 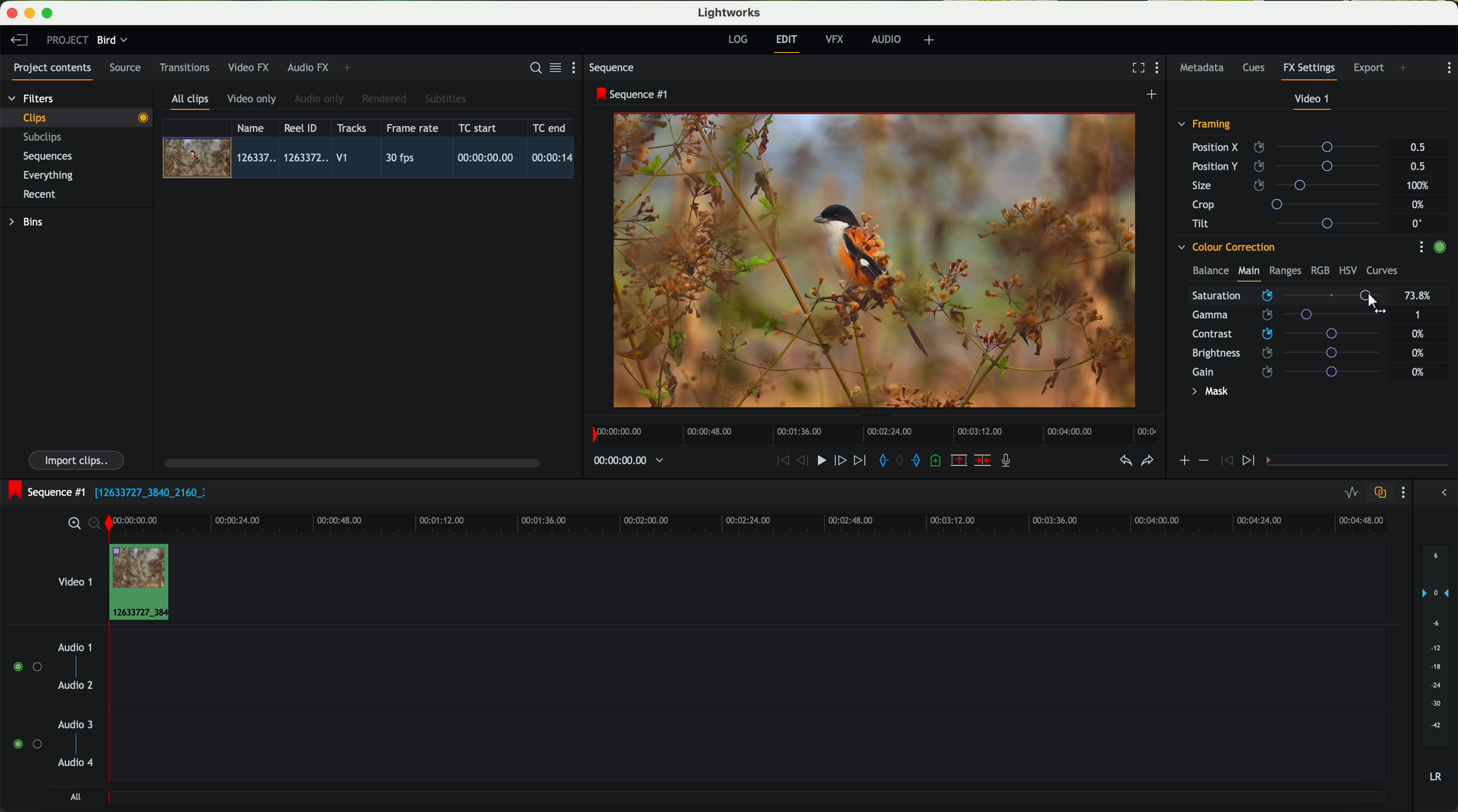 What do you see at coordinates (1203, 461) in the screenshot?
I see `icon` at bounding box center [1203, 461].